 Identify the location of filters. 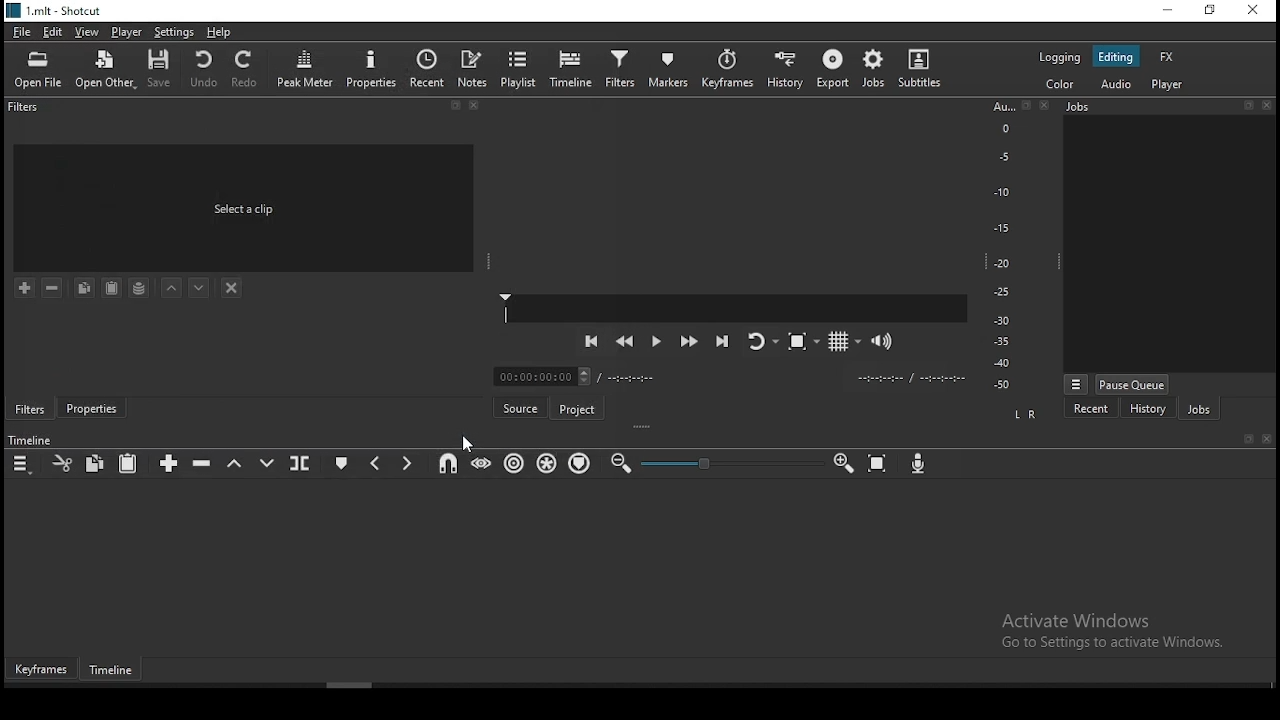
(620, 69).